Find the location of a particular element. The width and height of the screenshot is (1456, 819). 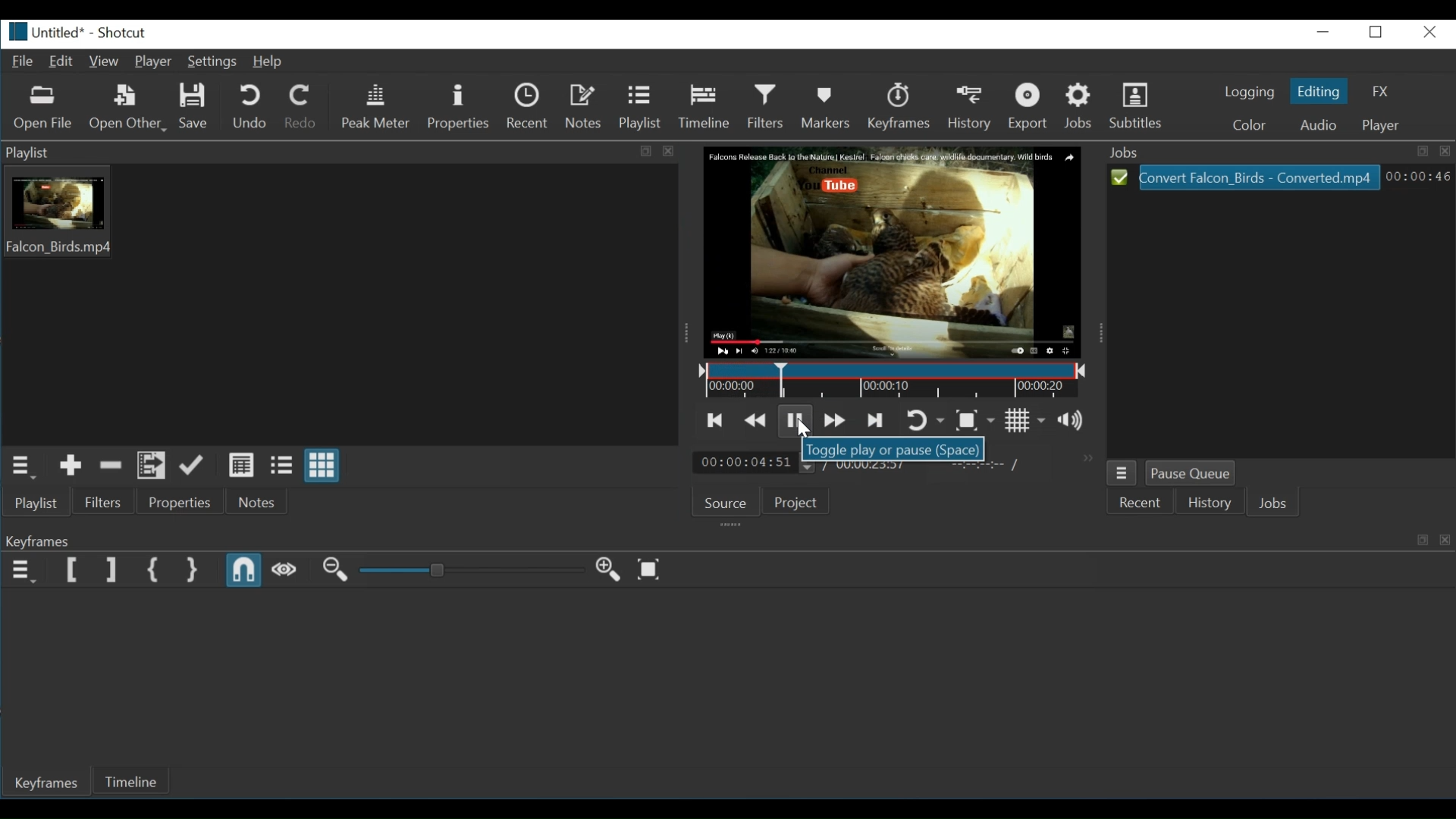

Player is located at coordinates (1381, 125).